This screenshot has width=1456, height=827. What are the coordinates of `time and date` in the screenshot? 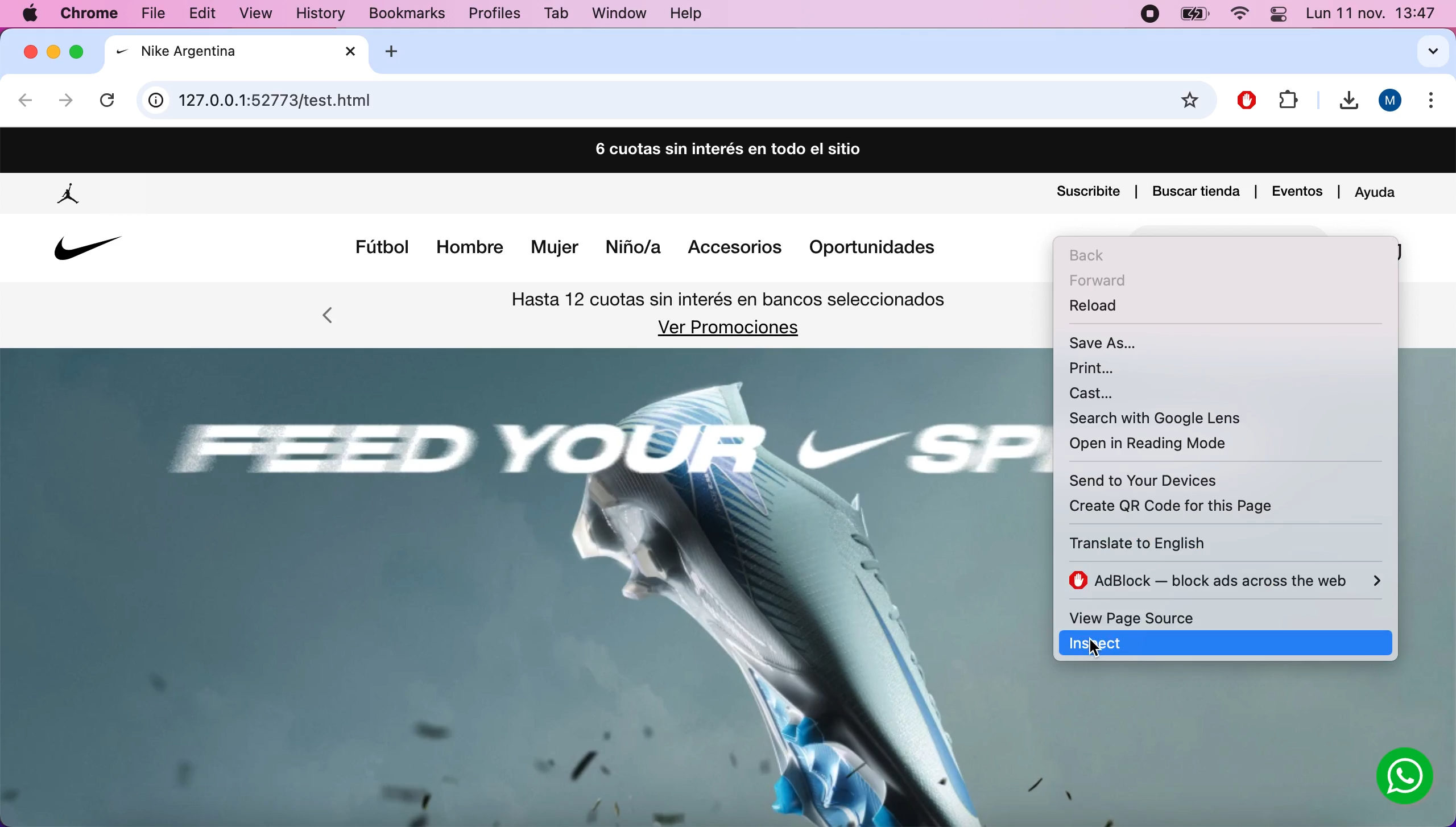 It's located at (1372, 15).